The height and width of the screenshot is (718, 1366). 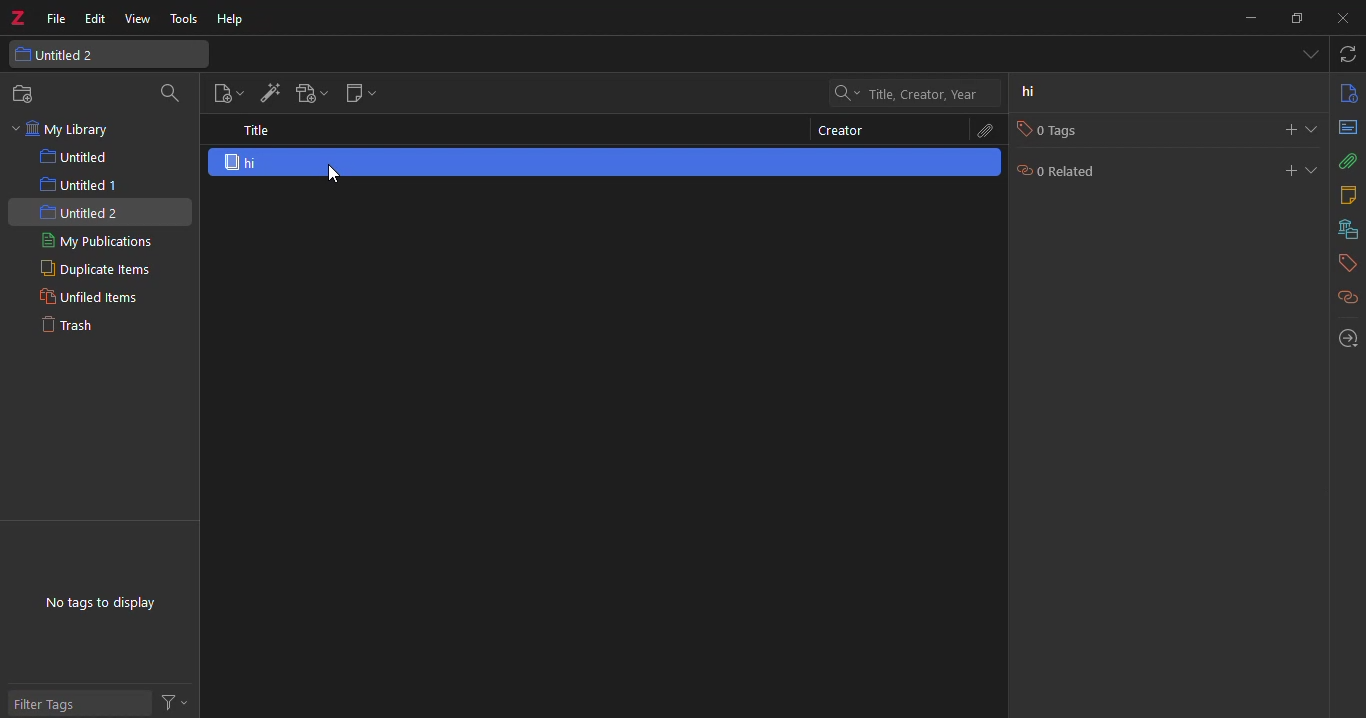 I want to click on library, so click(x=1344, y=230).